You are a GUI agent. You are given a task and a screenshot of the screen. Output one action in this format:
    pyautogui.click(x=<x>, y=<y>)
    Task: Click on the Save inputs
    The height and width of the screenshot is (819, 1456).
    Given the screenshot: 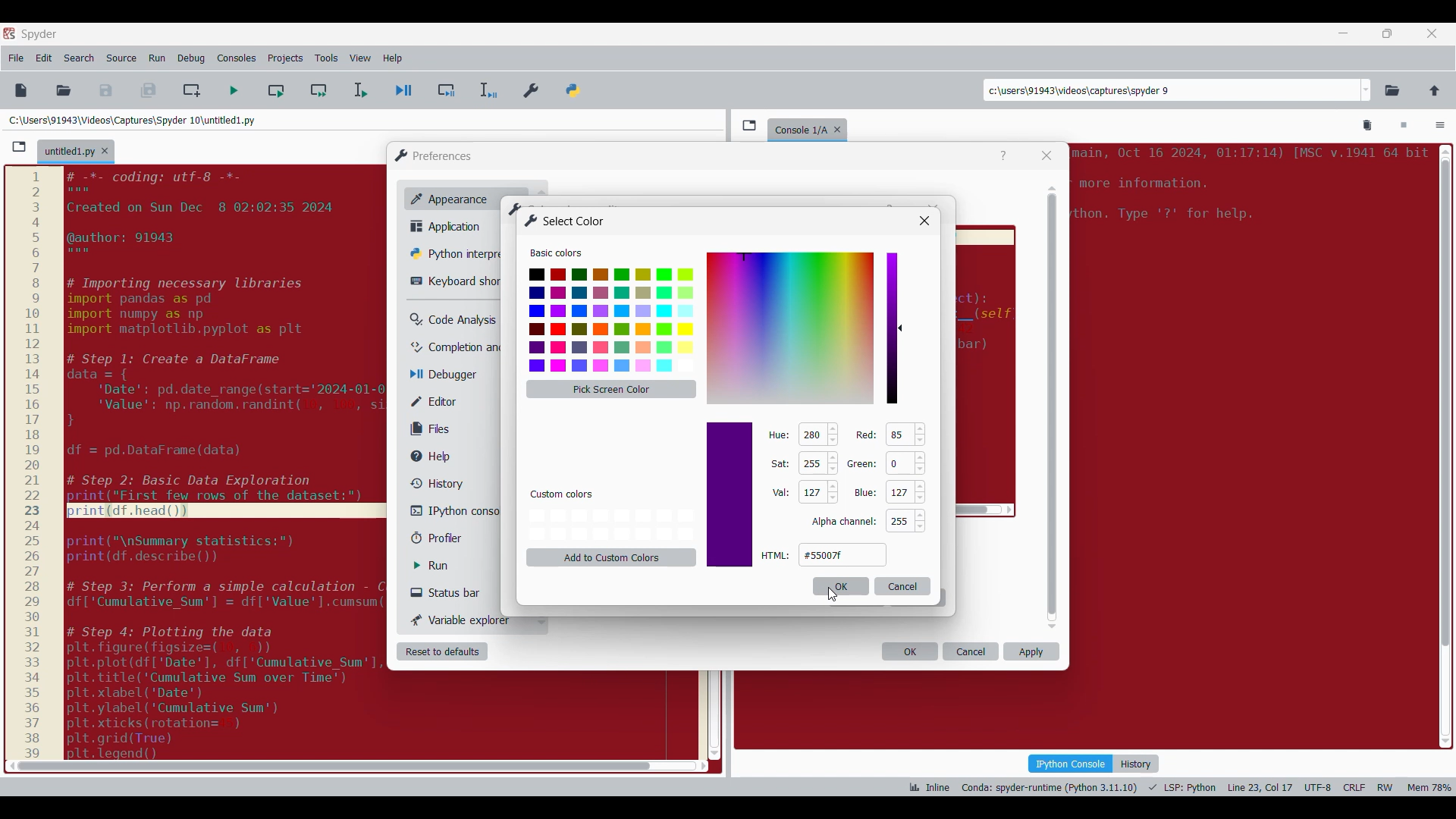 What is the action you would take?
    pyautogui.click(x=840, y=586)
    